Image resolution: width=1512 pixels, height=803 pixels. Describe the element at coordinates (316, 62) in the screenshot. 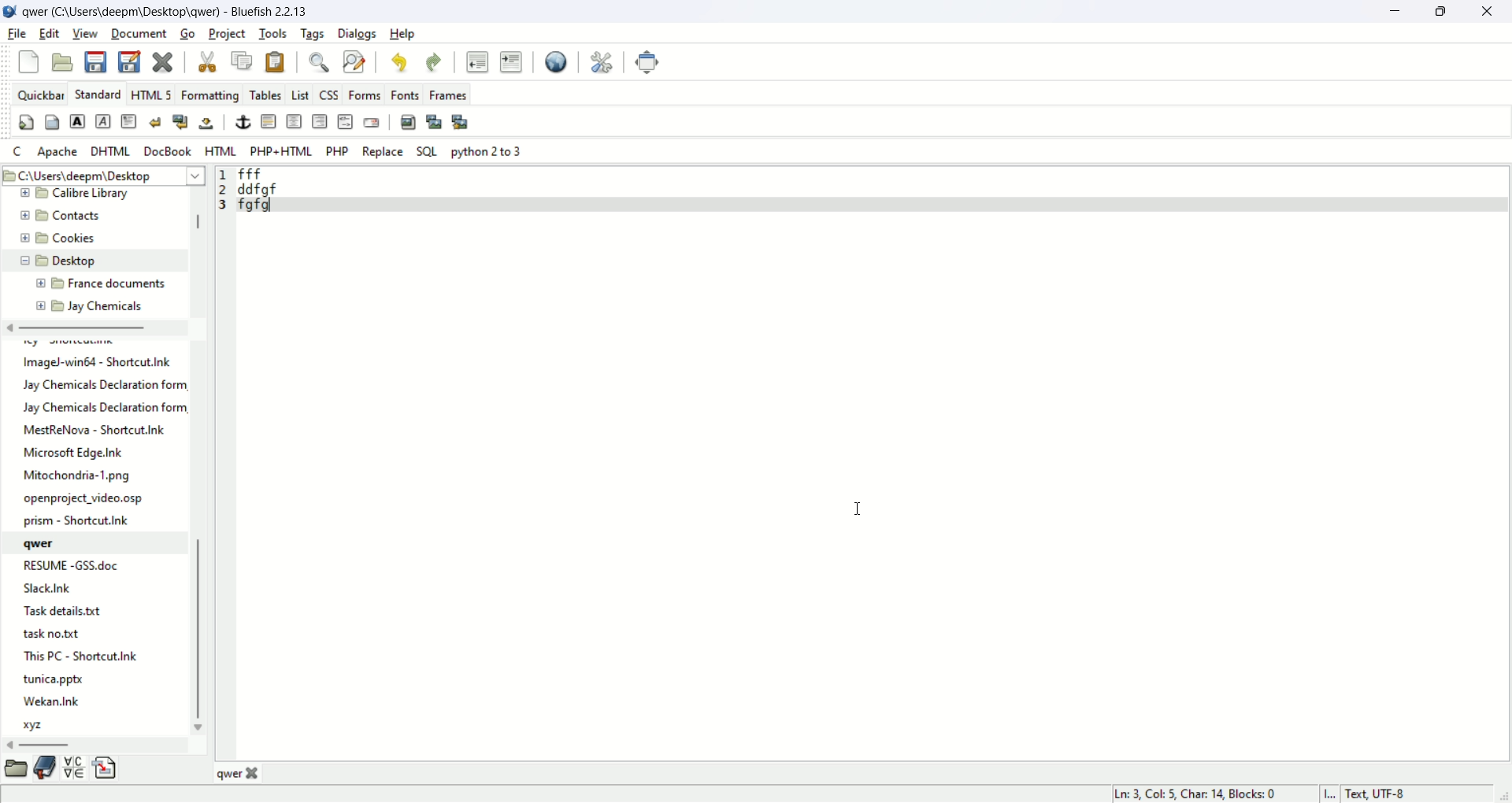

I see `show find bar` at that location.